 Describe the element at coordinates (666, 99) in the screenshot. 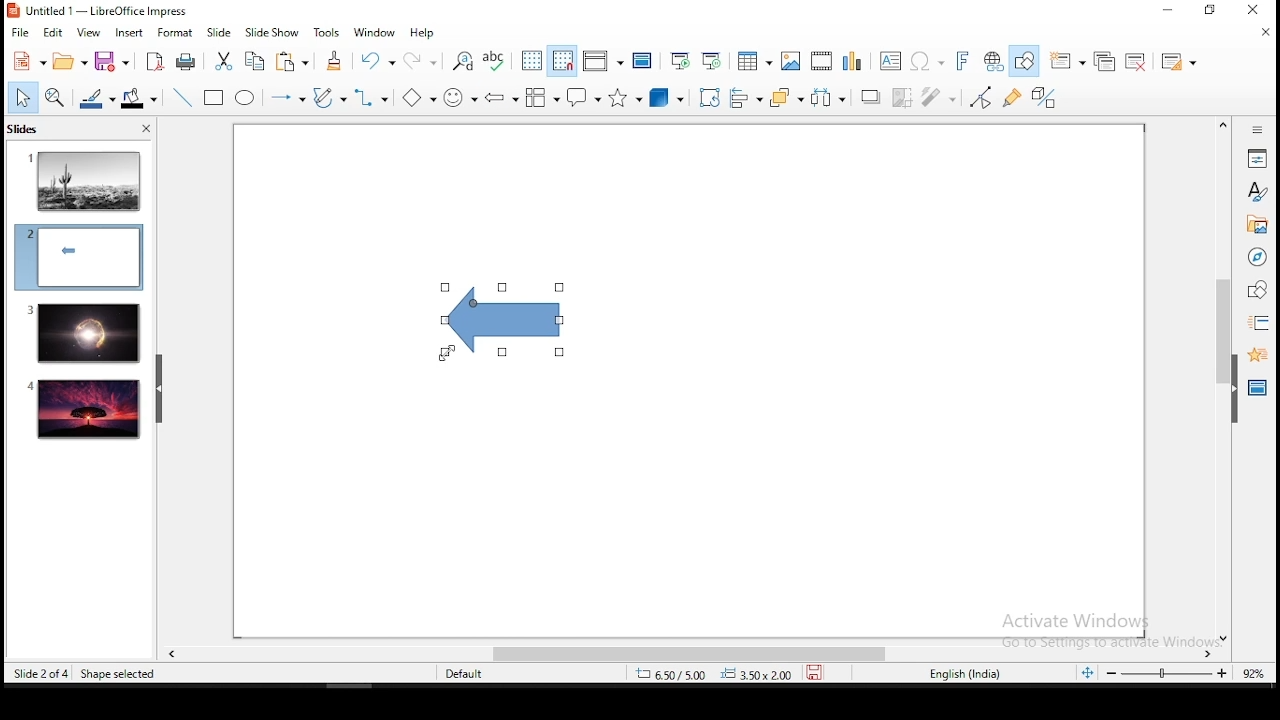

I see `3D objects` at that location.